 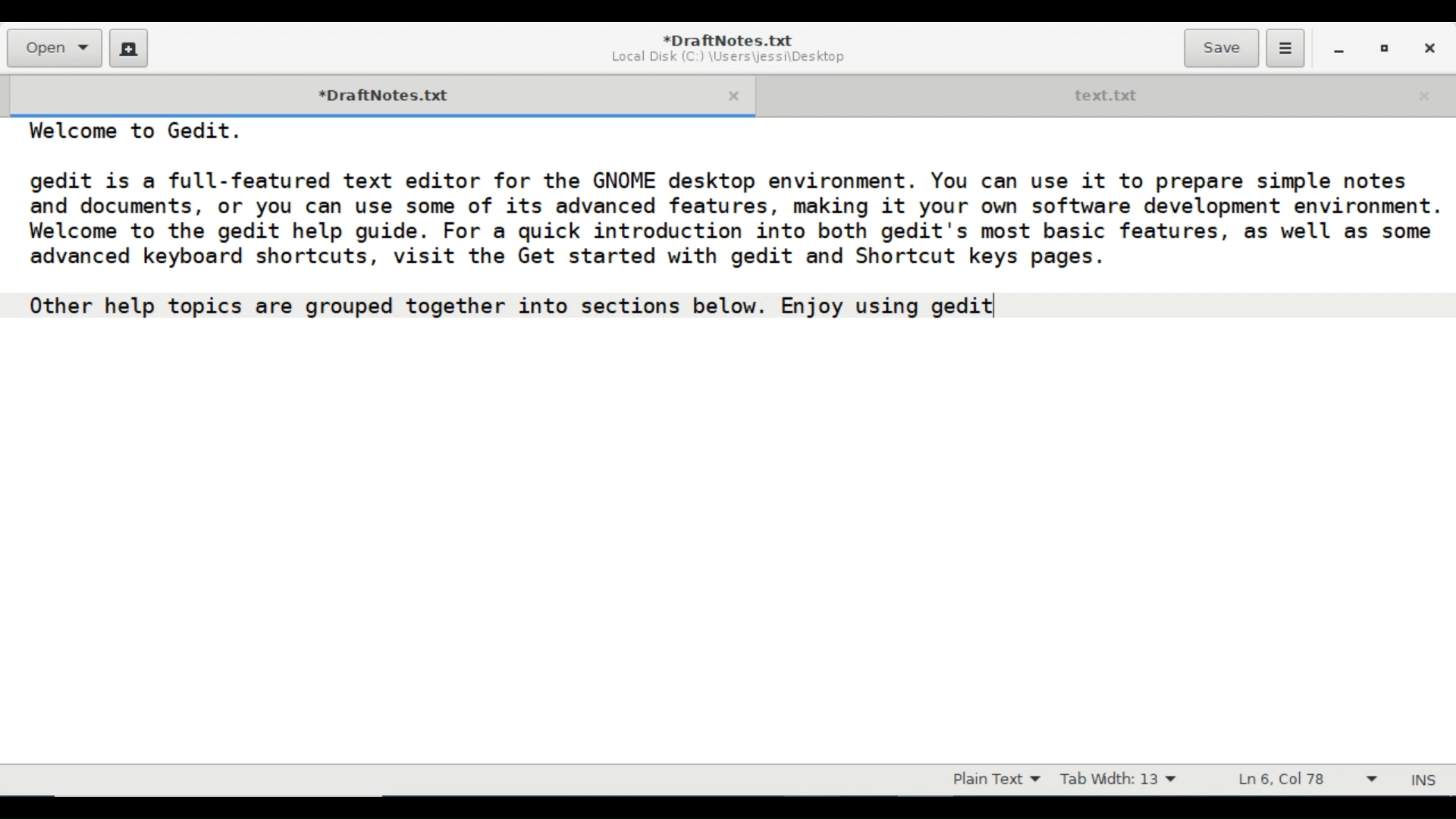 I want to click on Insert Mode, so click(x=1426, y=780).